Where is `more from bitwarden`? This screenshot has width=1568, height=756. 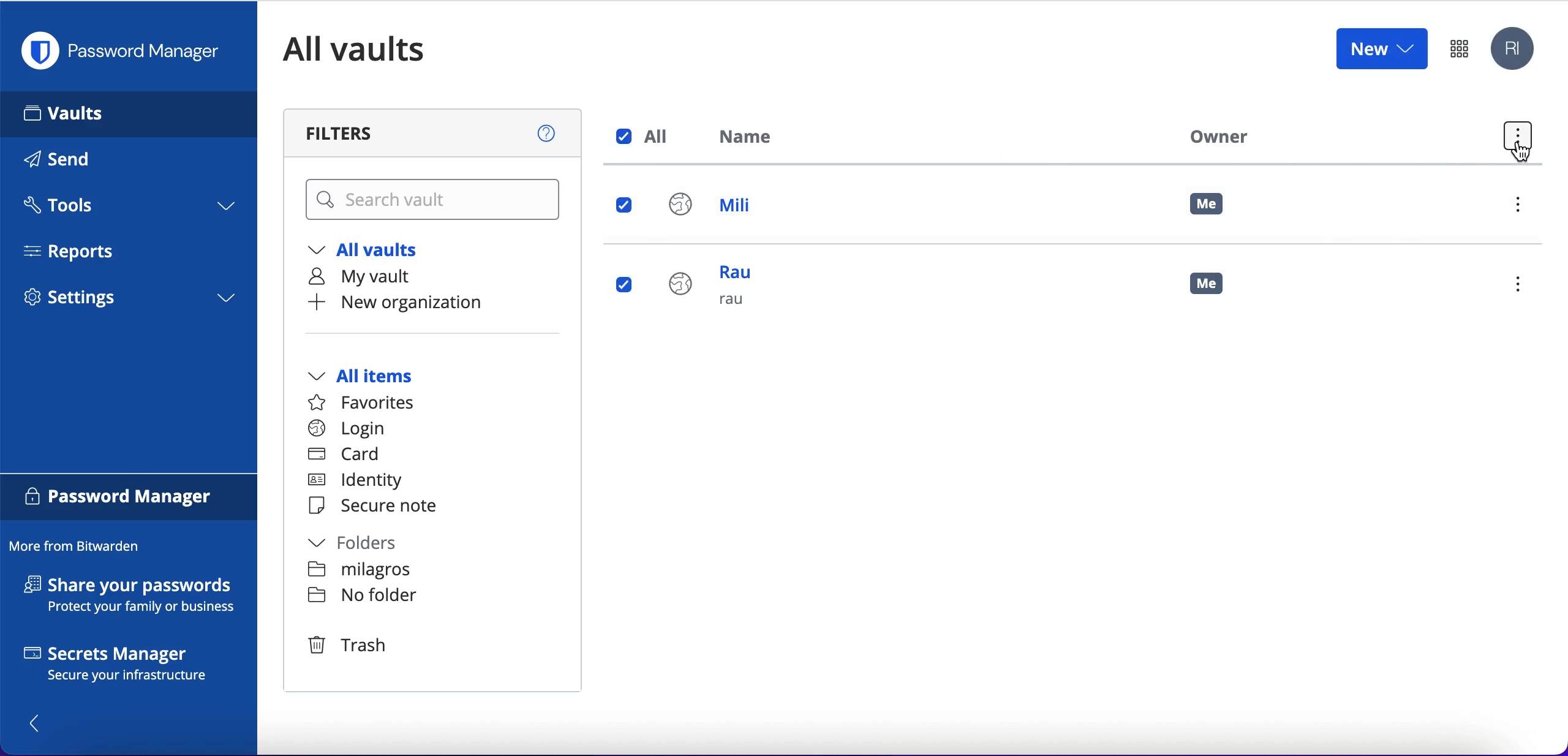 more from bitwarden is located at coordinates (80, 547).